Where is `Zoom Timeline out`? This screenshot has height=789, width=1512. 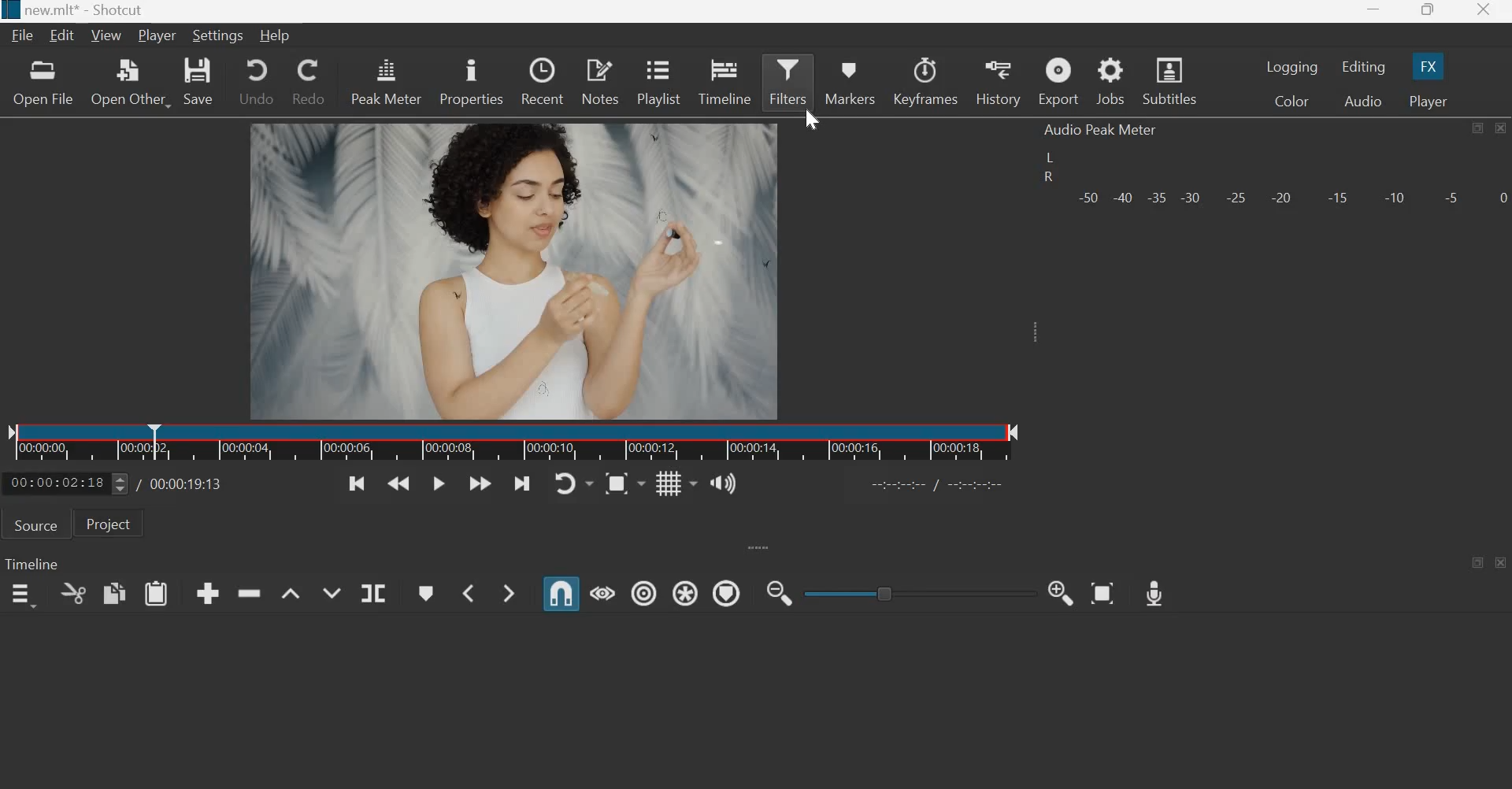
Zoom Timeline out is located at coordinates (781, 593).